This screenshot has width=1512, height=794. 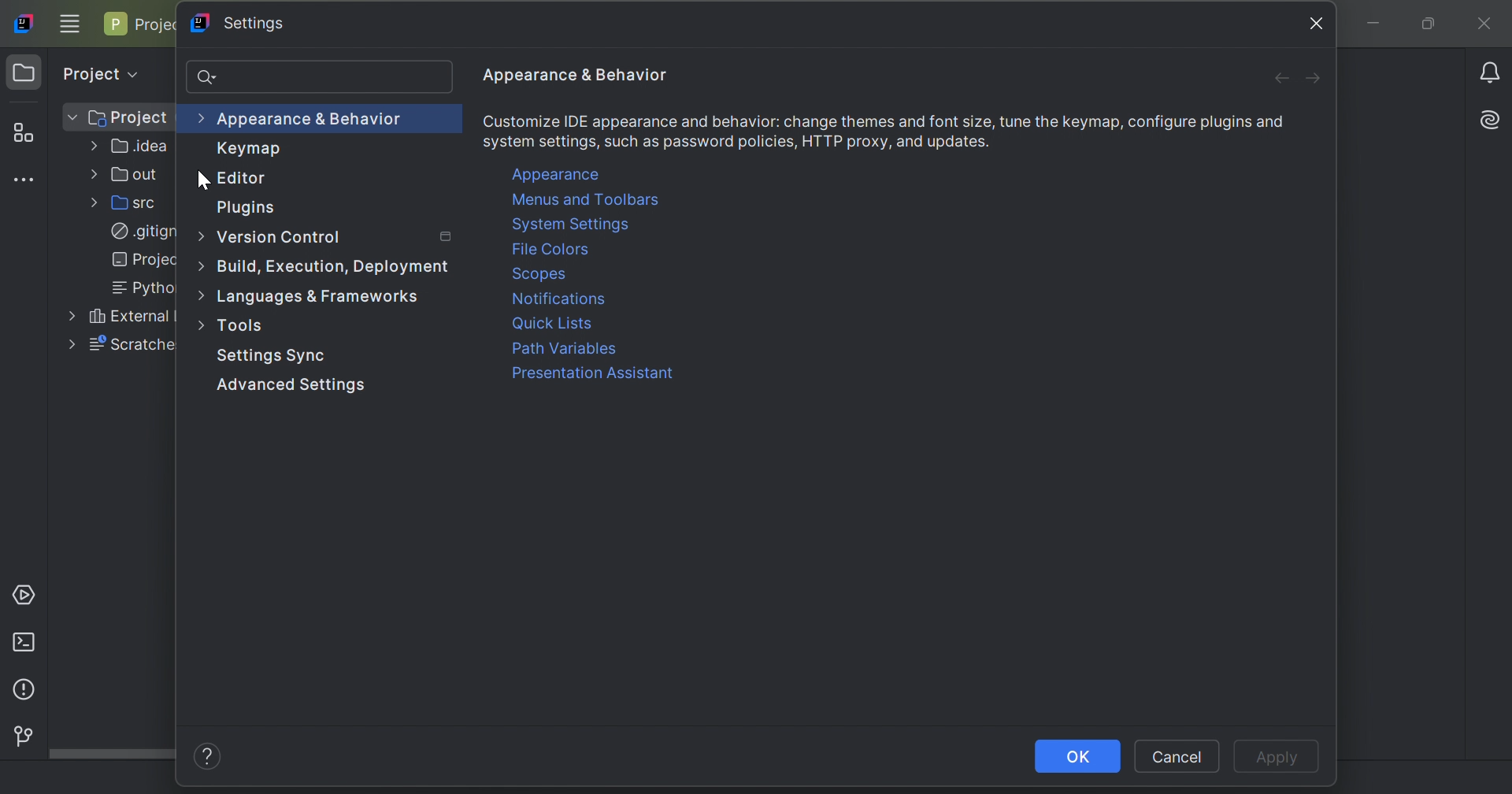 What do you see at coordinates (269, 354) in the screenshot?
I see `Settings` at bounding box center [269, 354].